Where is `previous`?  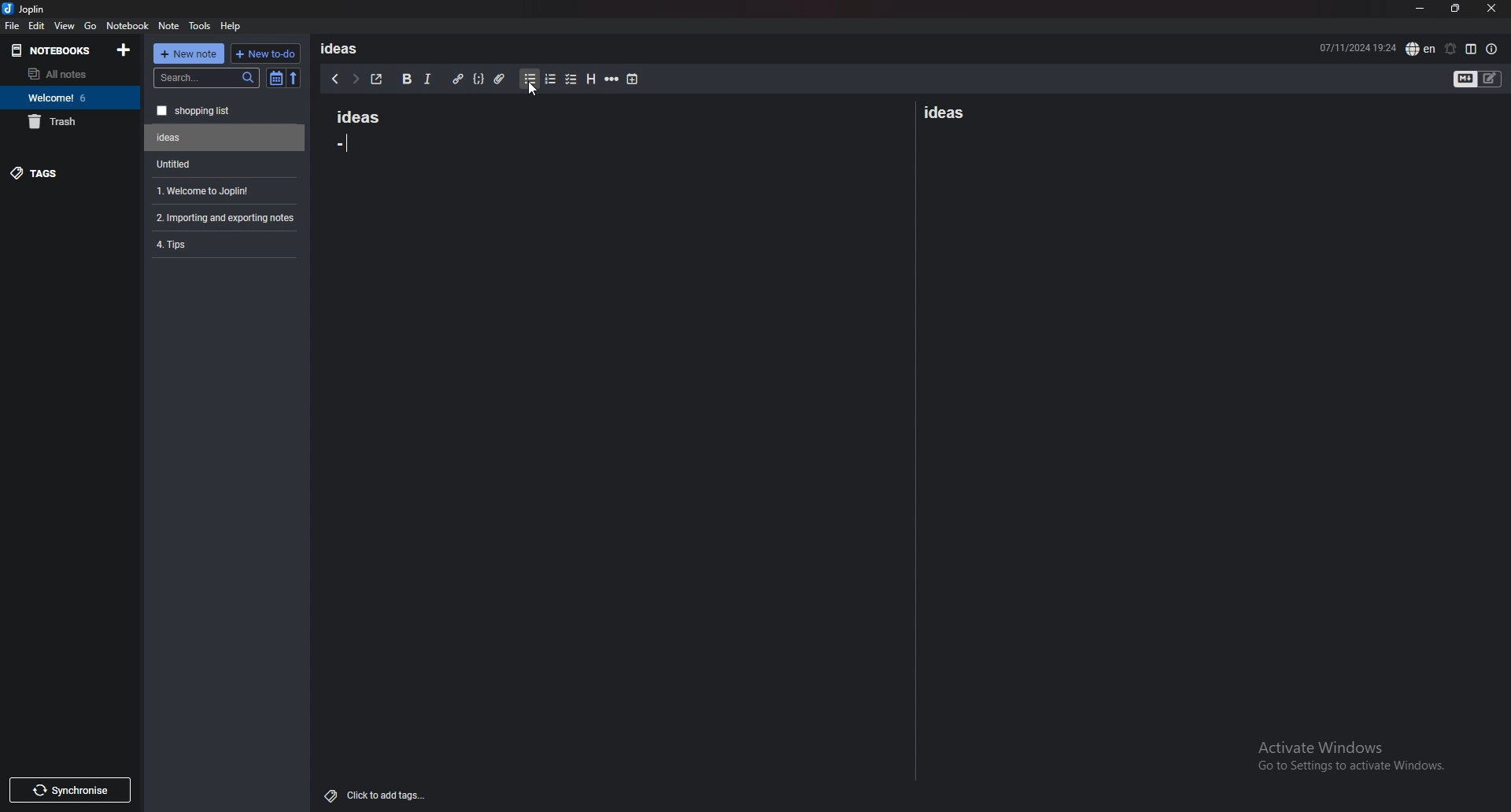
previous is located at coordinates (334, 79).